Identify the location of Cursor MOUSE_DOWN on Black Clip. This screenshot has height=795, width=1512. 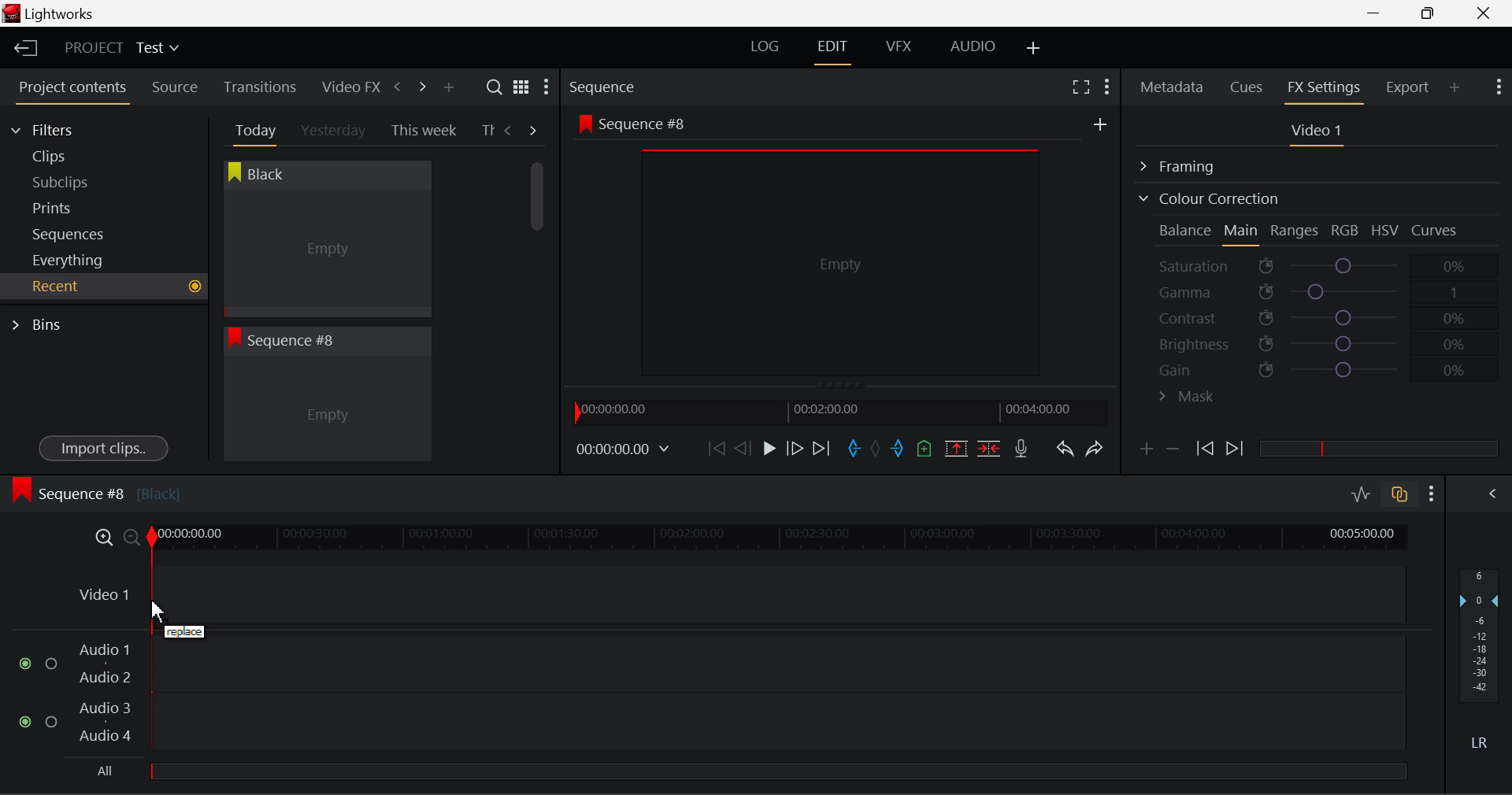
(325, 253).